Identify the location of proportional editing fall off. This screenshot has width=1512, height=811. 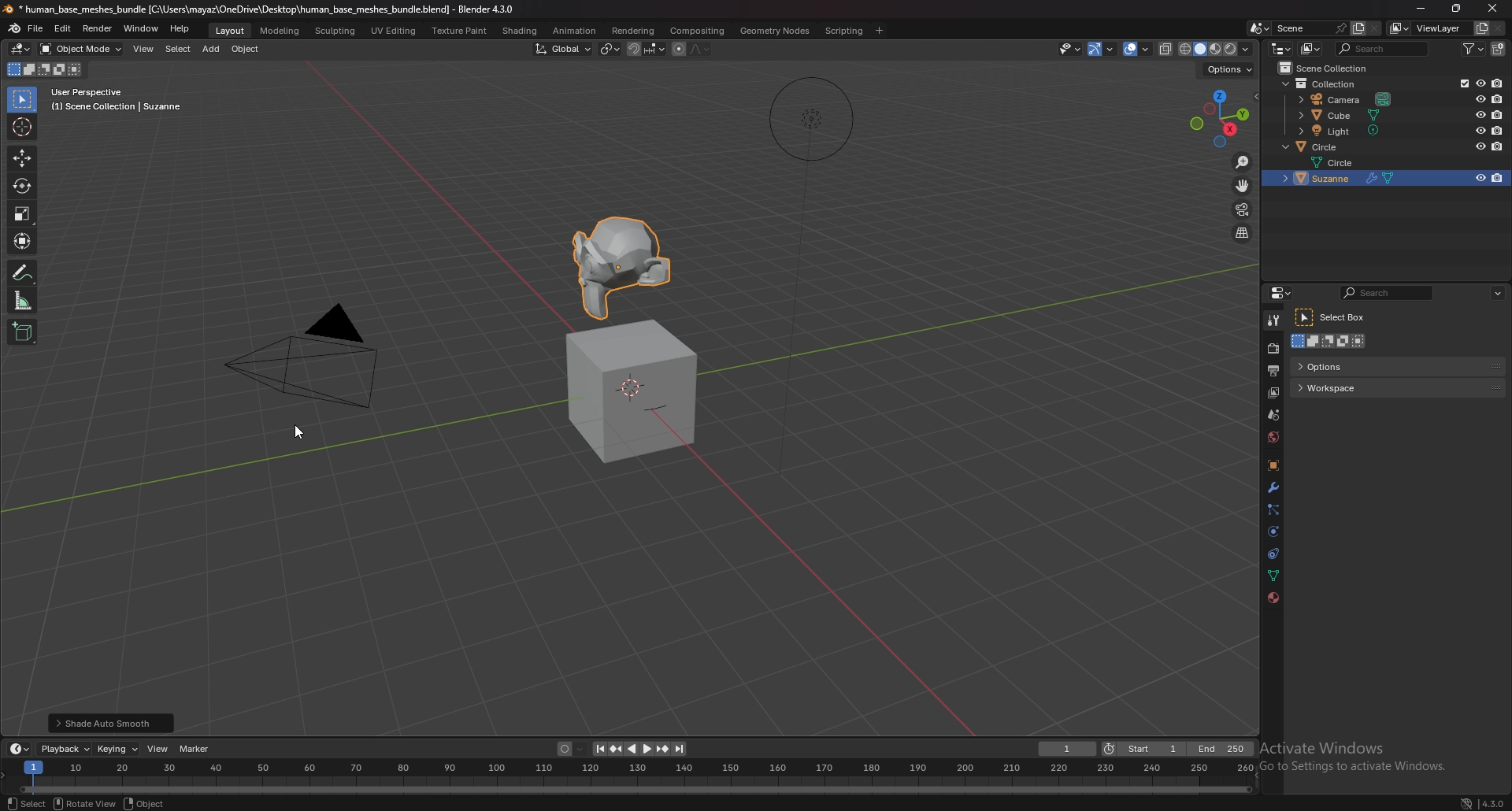
(702, 50).